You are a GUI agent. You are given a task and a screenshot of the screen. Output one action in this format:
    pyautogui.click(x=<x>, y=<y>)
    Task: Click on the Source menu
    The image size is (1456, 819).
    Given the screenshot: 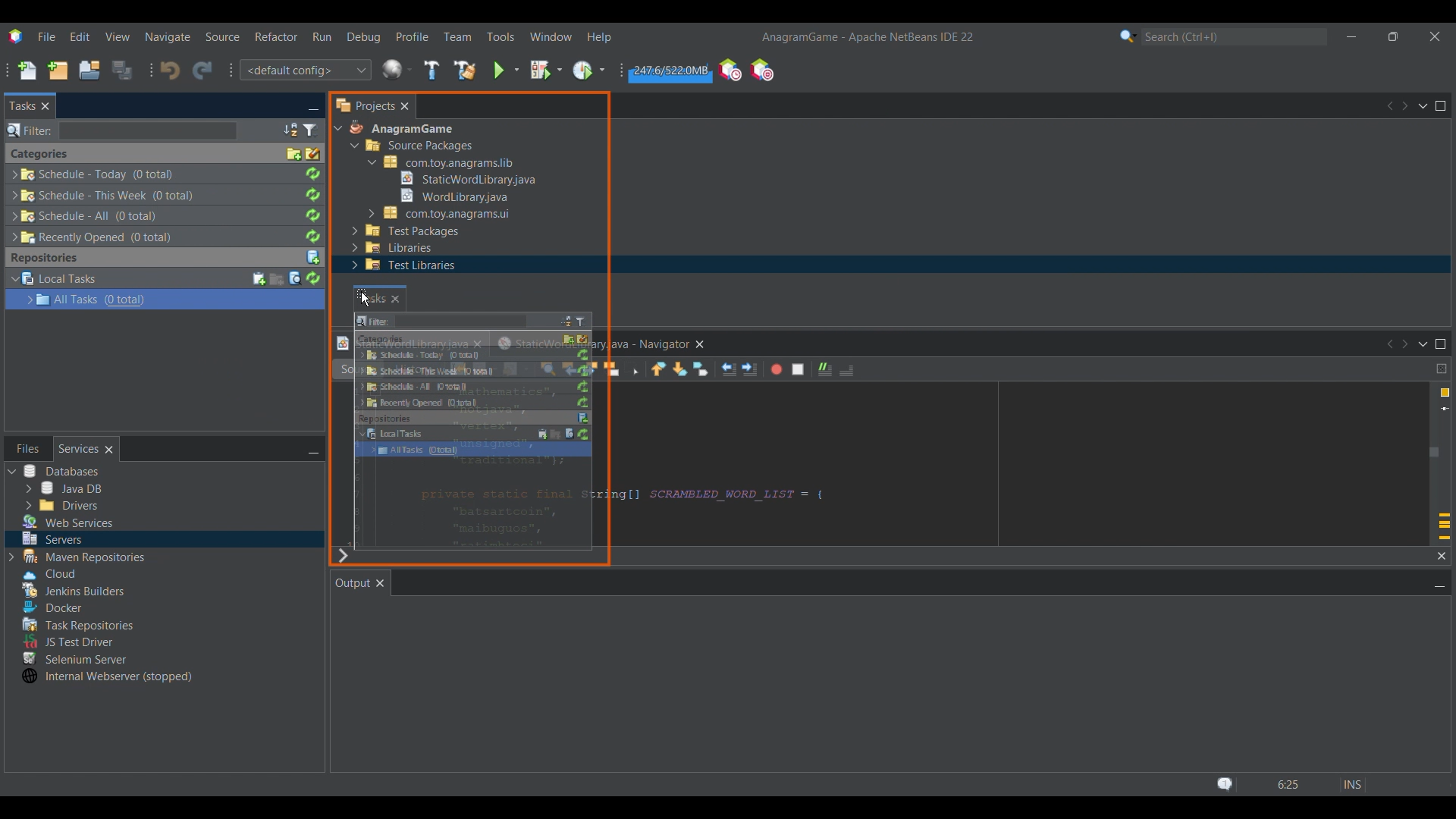 What is the action you would take?
    pyautogui.click(x=221, y=36)
    